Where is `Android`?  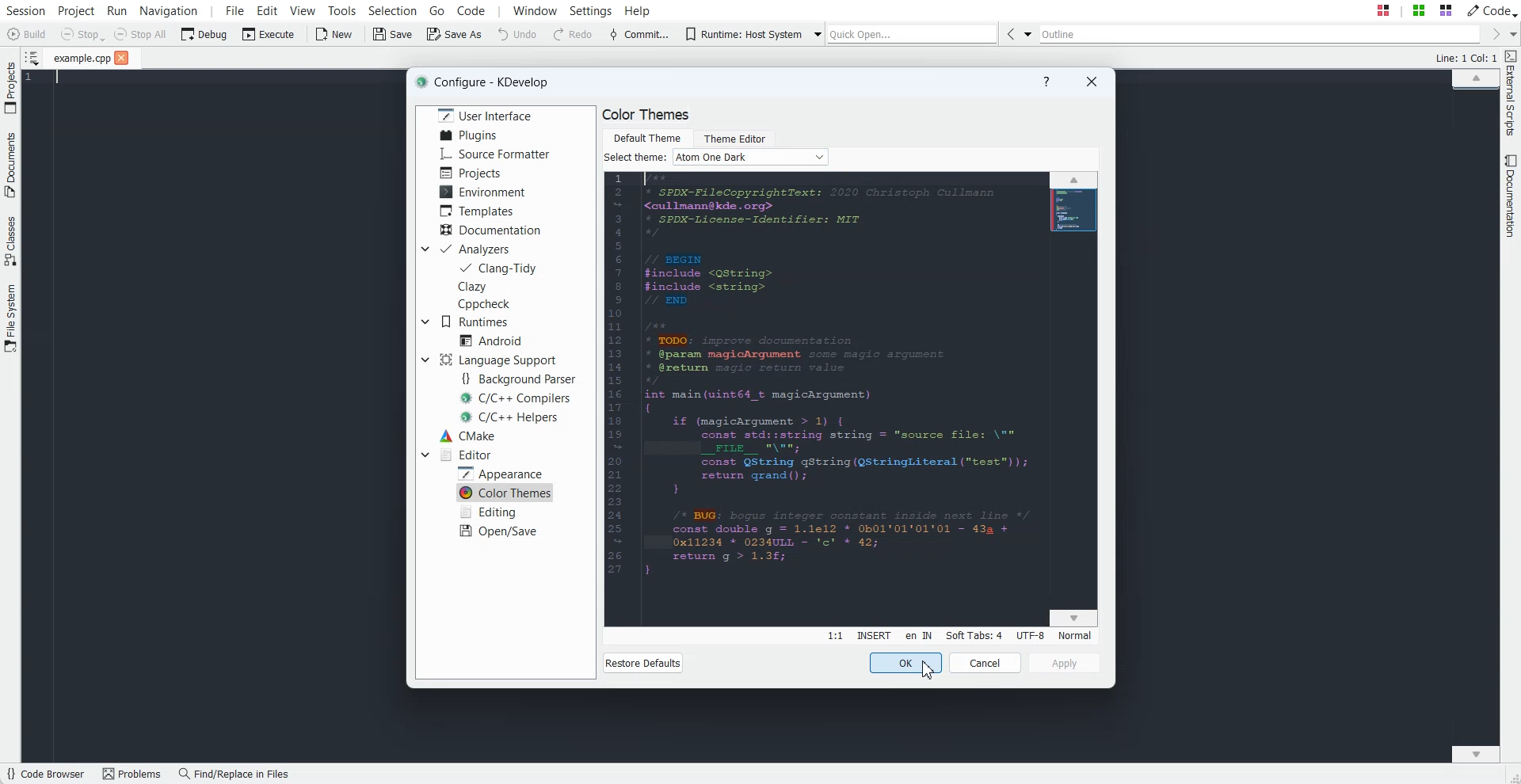
Android is located at coordinates (491, 340).